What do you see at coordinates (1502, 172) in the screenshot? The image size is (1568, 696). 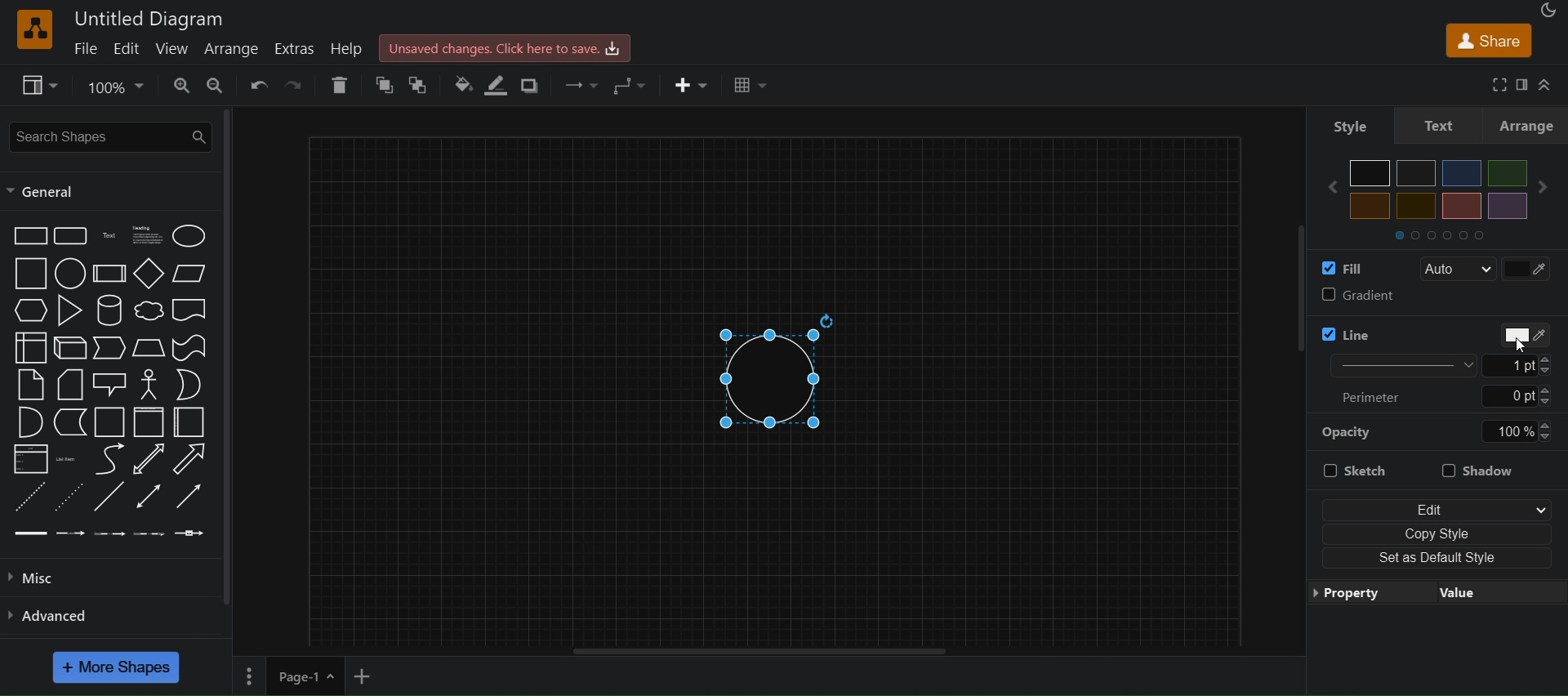 I see `green color` at bounding box center [1502, 172].